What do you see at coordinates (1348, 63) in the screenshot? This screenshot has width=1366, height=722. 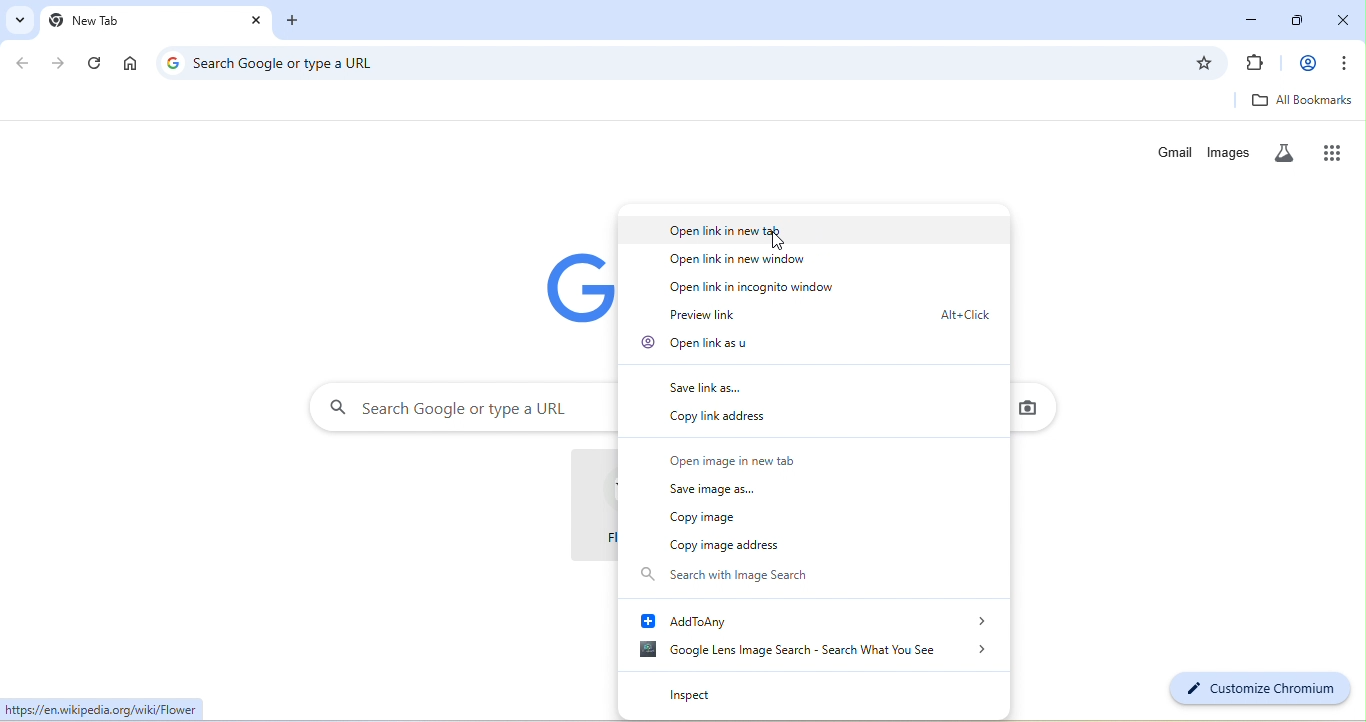 I see `customized and control google chrome` at bounding box center [1348, 63].